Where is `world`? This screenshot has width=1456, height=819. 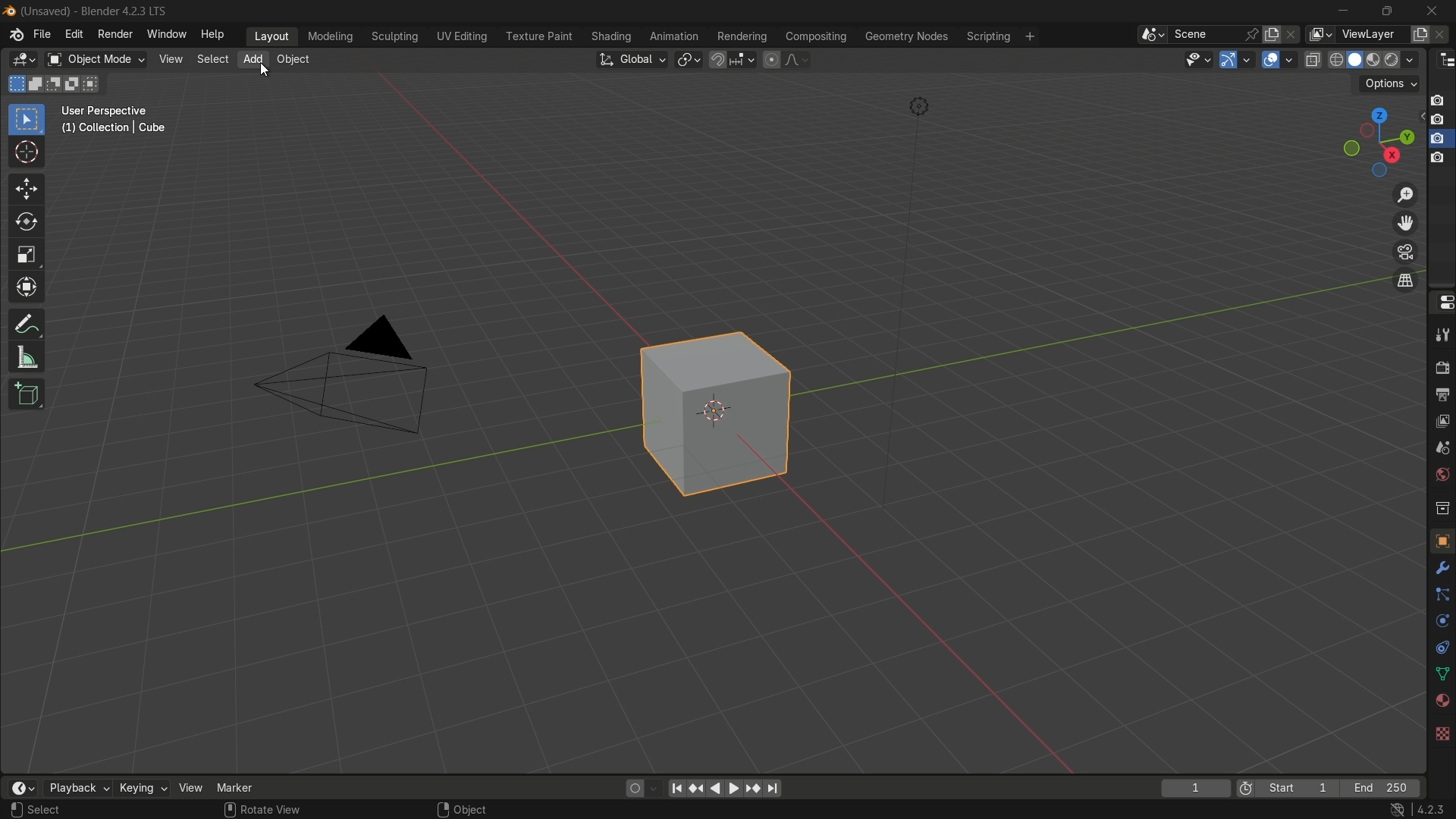
world is located at coordinates (1439, 475).